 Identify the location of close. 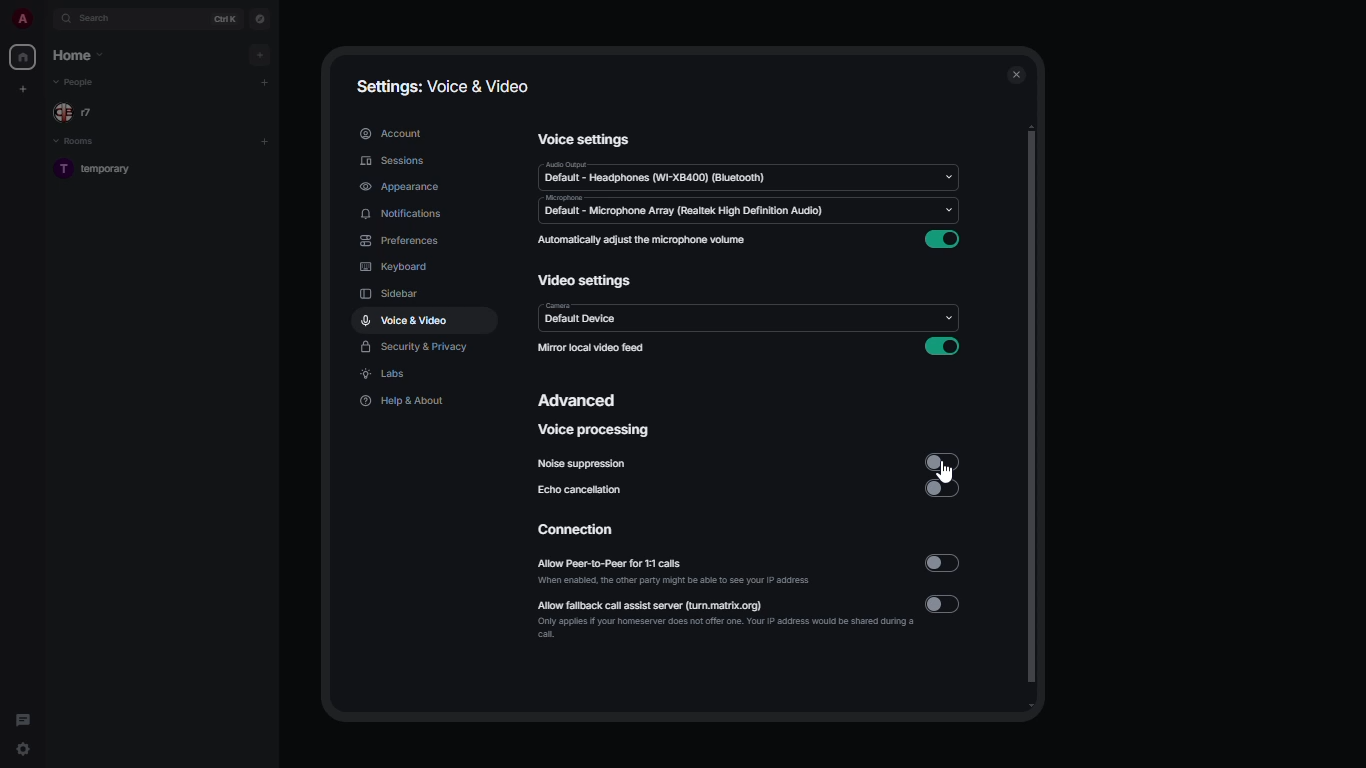
(1018, 74).